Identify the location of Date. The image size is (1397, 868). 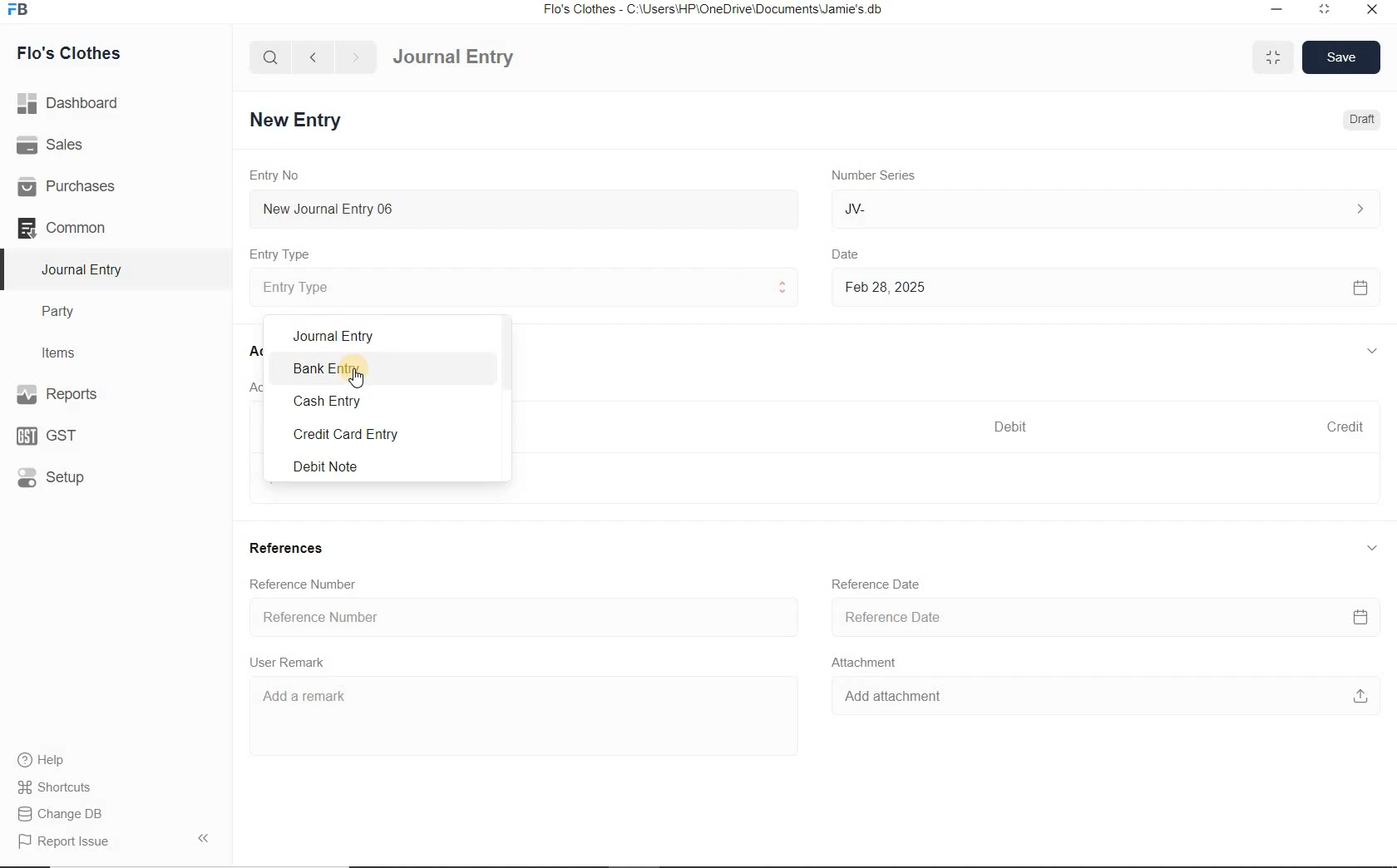
(857, 252).